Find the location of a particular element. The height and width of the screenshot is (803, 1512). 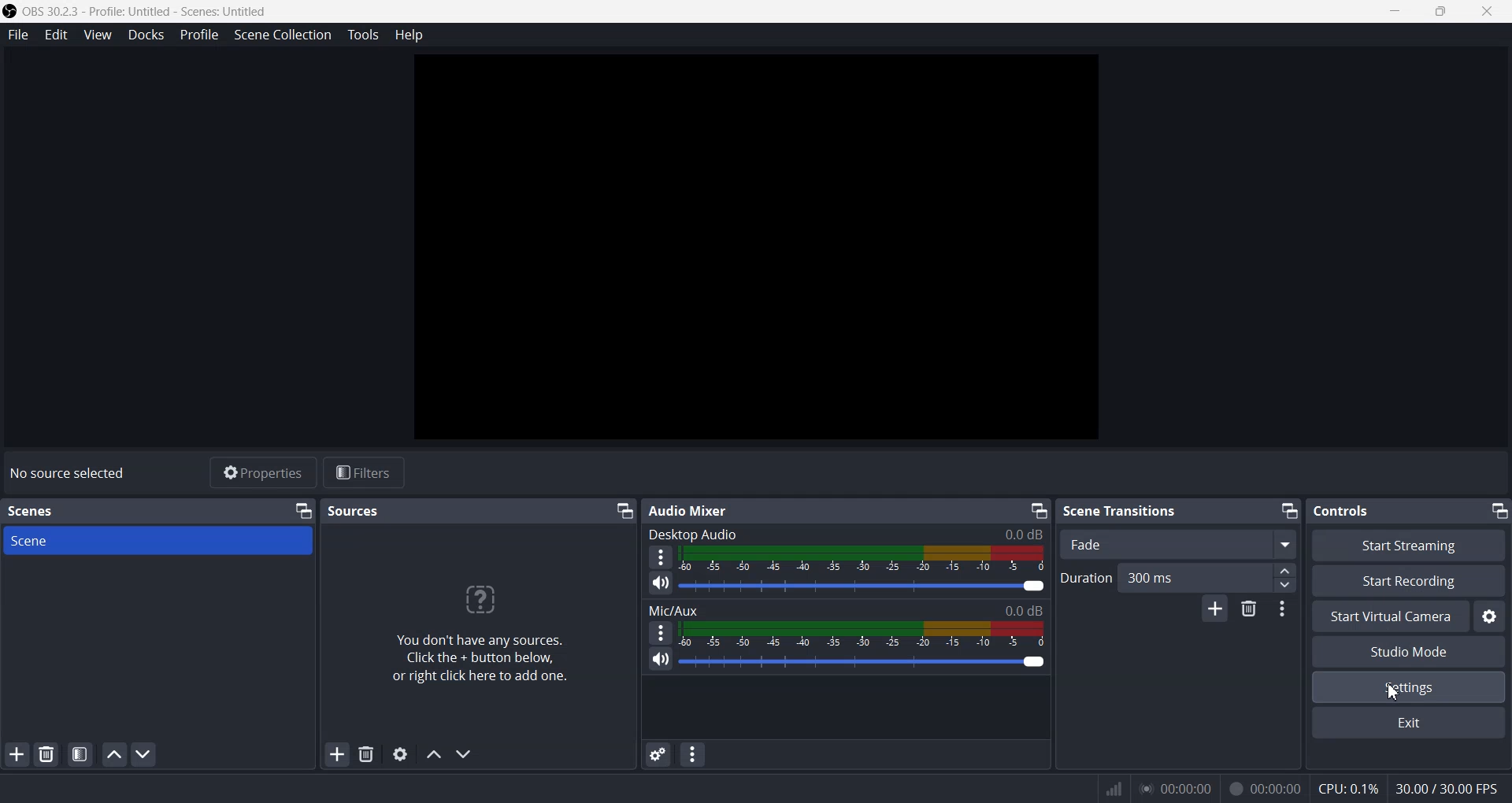

Volume Indicator is located at coordinates (863, 560).